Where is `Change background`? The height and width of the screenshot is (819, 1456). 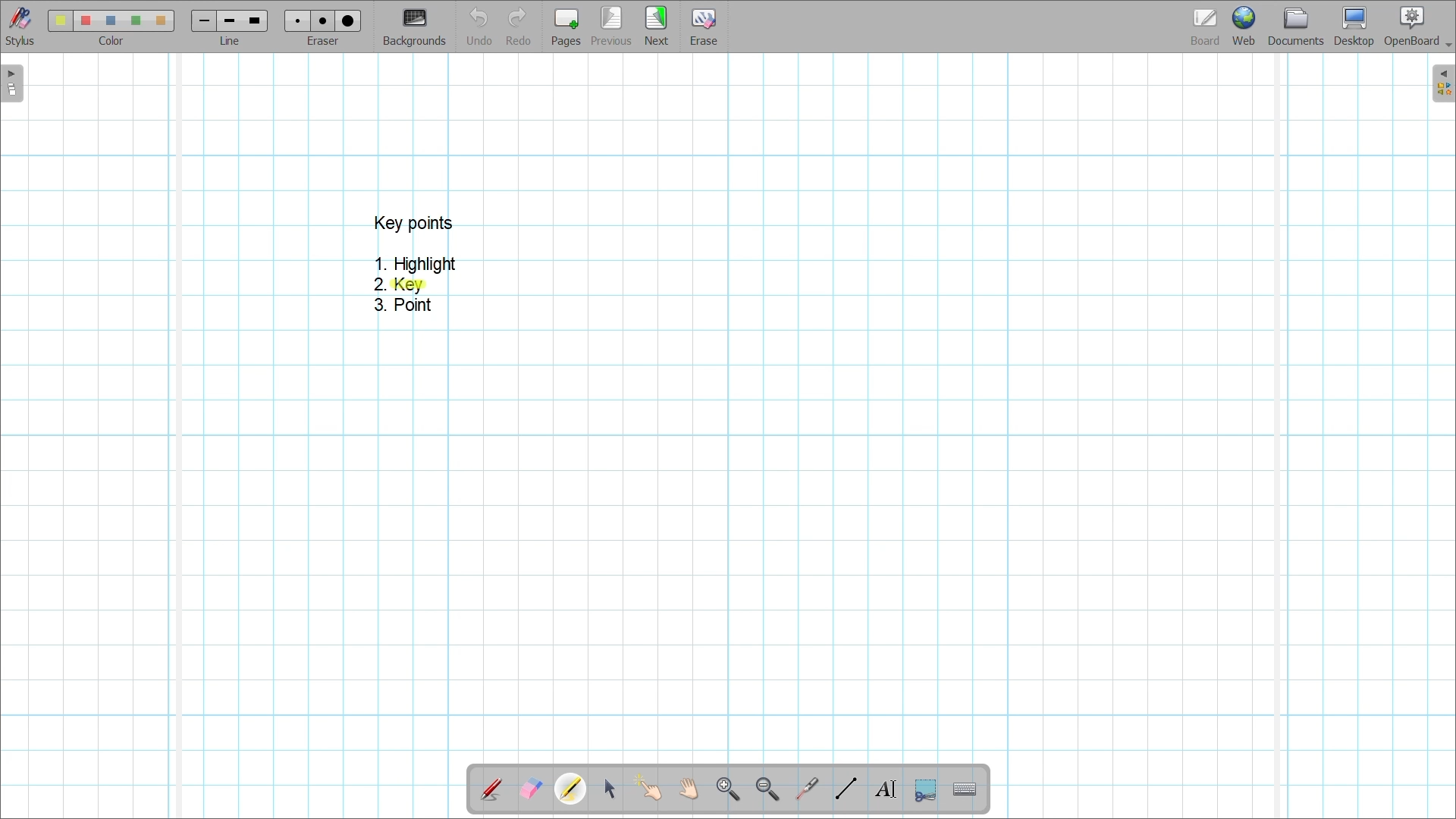 Change background is located at coordinates (414, 27).